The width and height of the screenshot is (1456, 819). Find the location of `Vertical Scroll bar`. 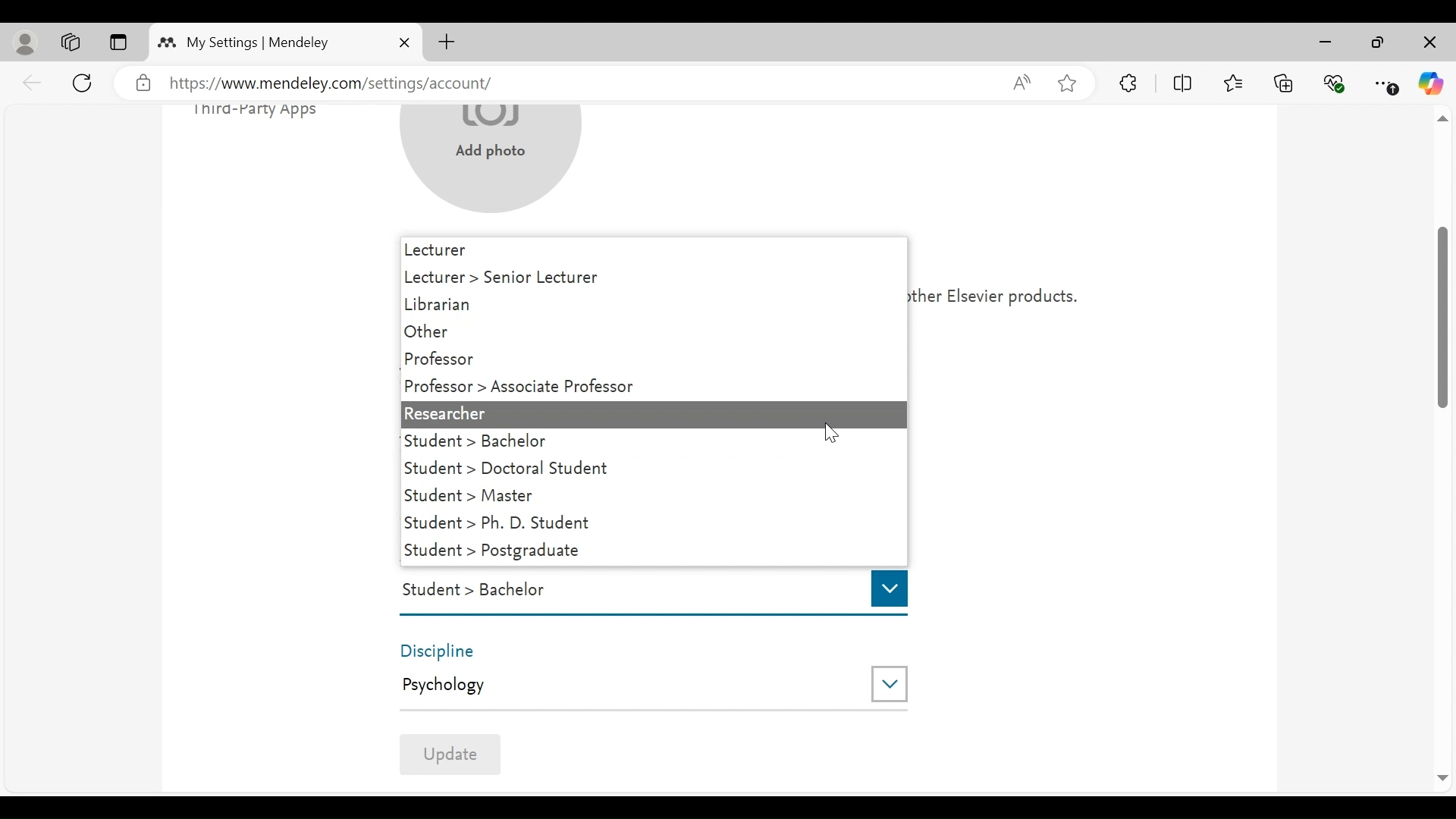

Vertical Scroll bar is located at coordinates (1443, 316).